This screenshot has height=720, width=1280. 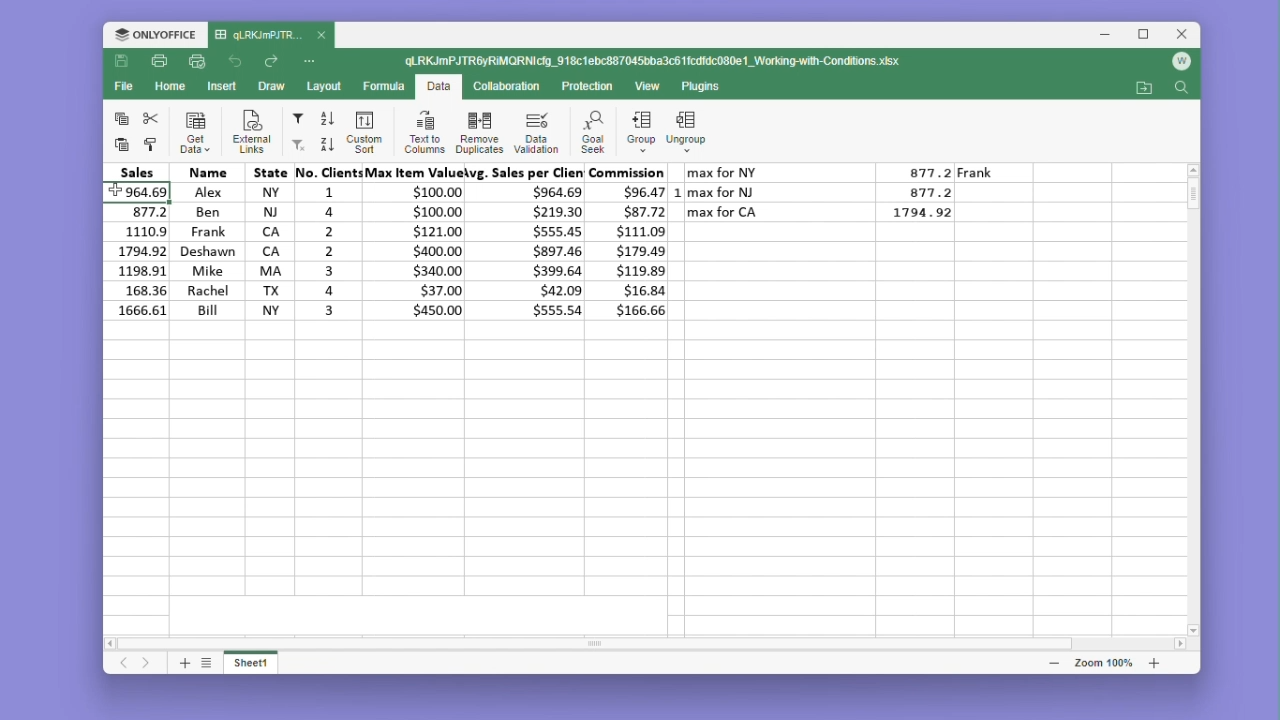 I want to click on Layout, so click(x=325, y=86).